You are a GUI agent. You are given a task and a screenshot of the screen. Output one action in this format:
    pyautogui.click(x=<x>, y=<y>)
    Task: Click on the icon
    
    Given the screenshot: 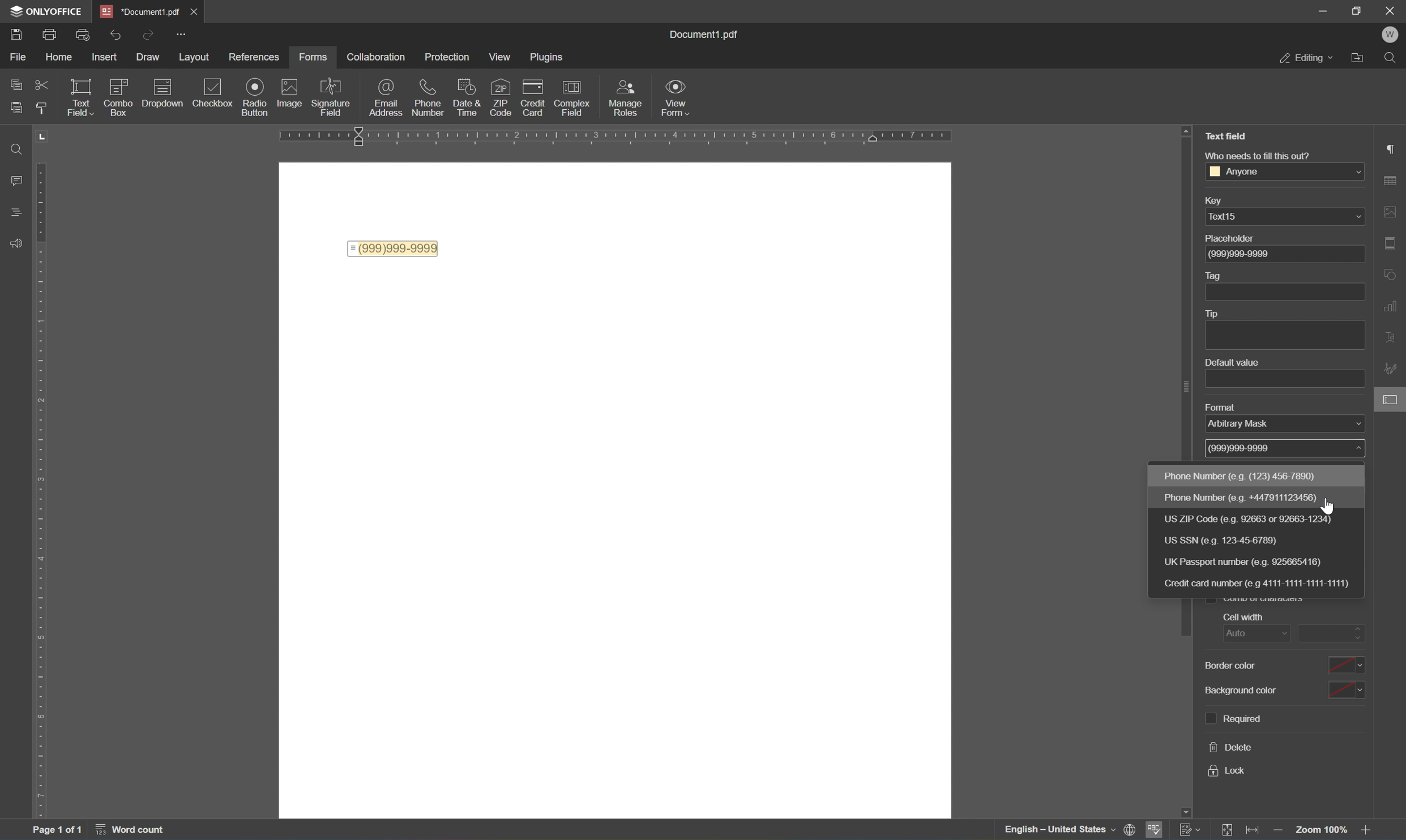 What is the action you would take?
    pyautogui.click(x=501, y=90)
    